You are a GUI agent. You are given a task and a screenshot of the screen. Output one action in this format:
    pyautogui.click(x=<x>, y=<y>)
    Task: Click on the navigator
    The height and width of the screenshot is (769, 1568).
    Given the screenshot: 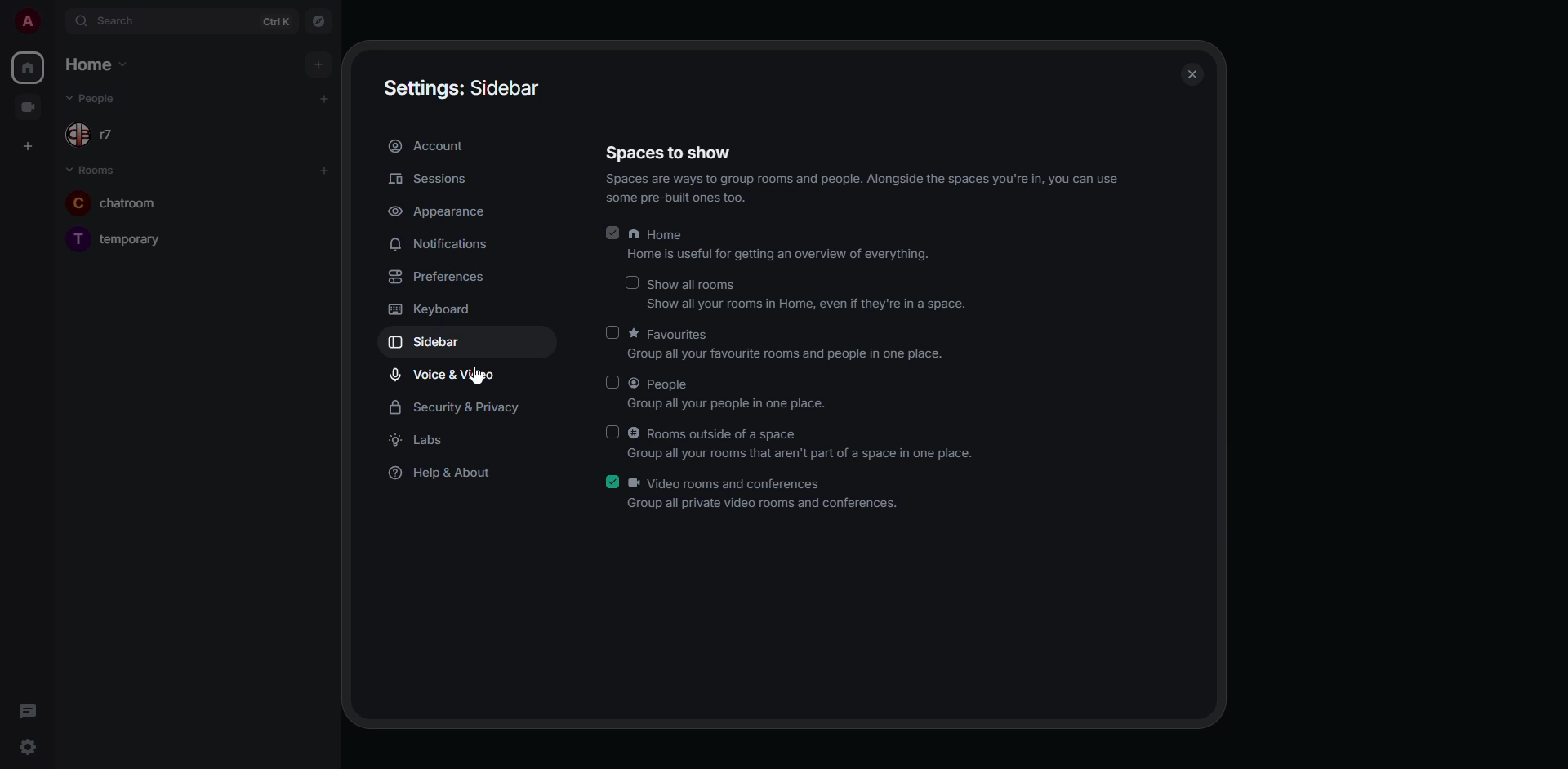 What is the action you would take?
    pyautogui.click(x=320, y=20)
    